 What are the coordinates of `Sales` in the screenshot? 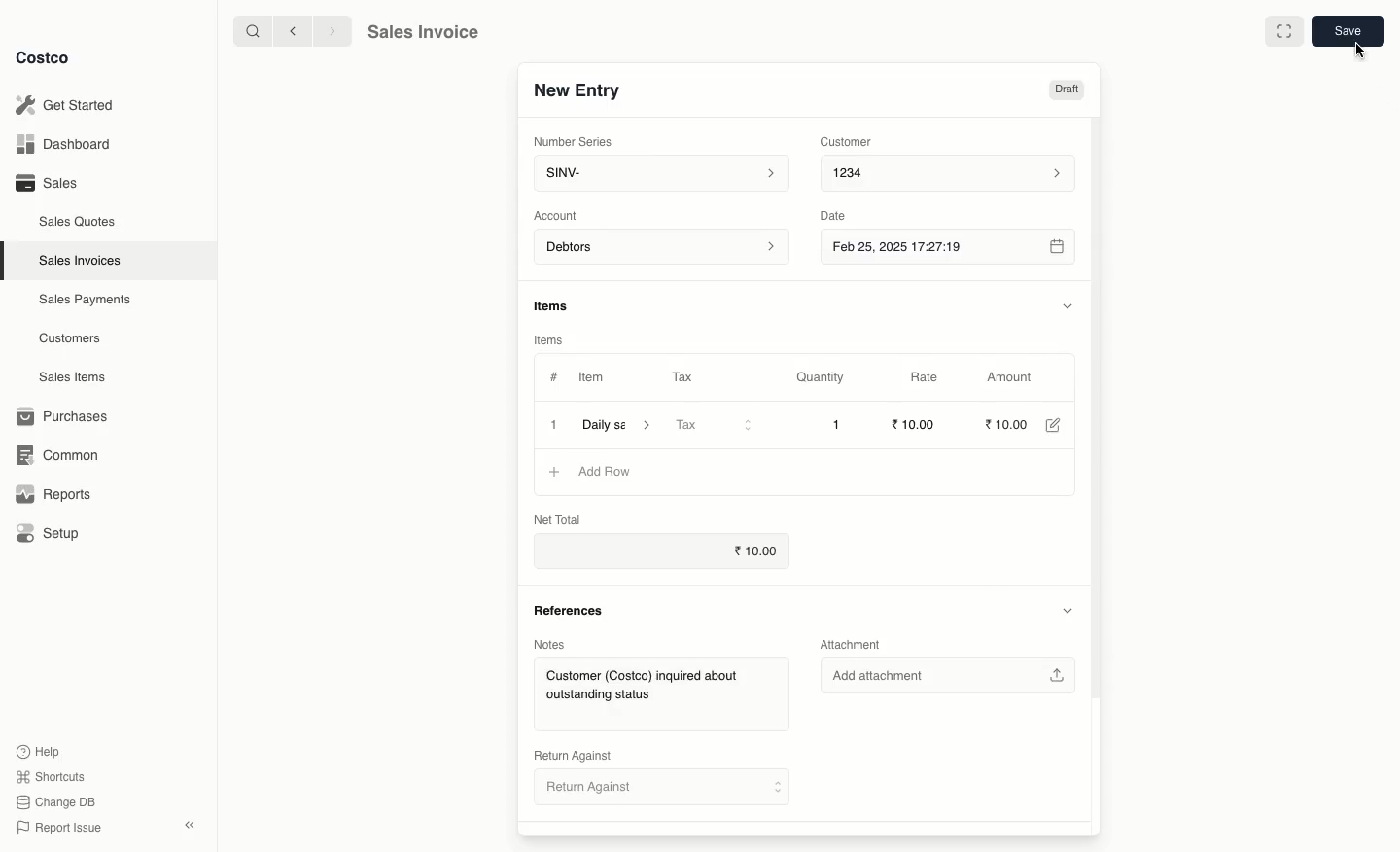 It's located at (48, 184).